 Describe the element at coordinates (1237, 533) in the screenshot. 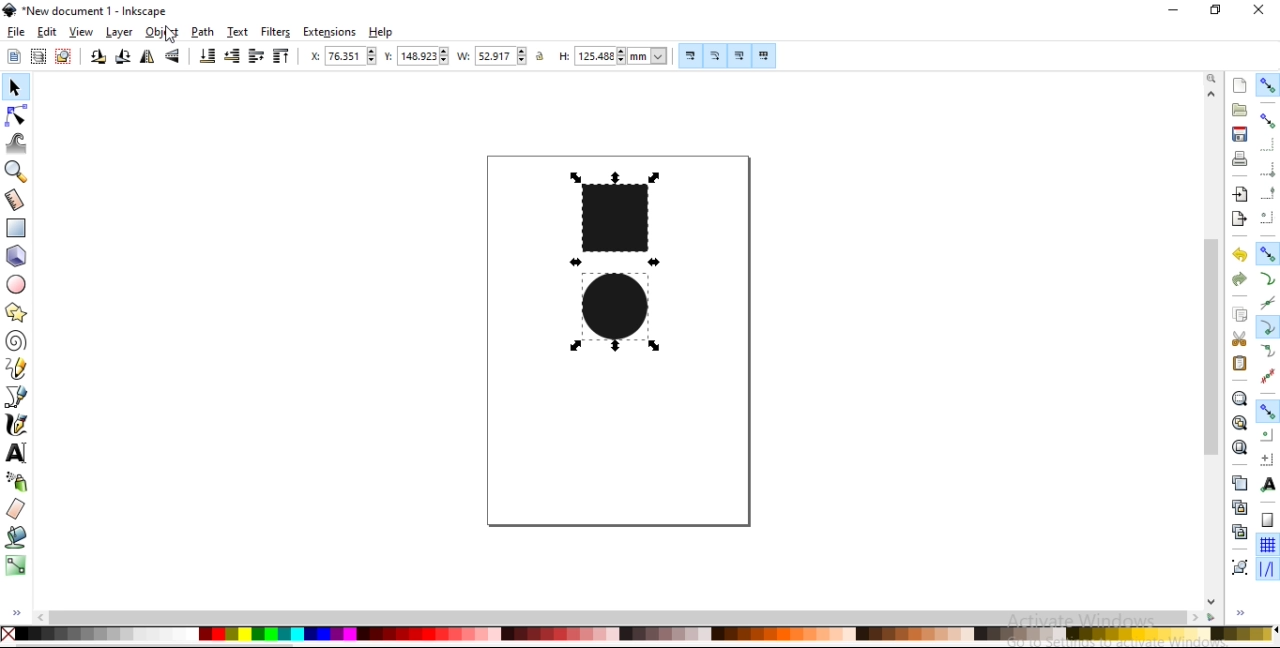

I see `cut selected clone` at that location.